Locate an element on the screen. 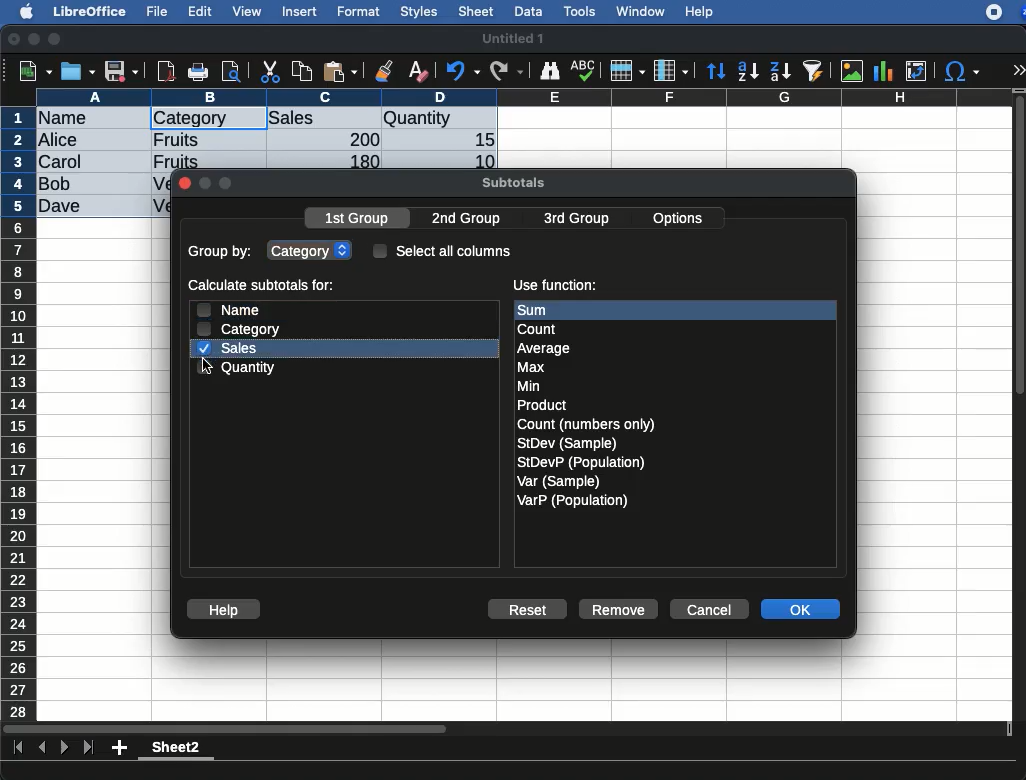 The image size is (1026, 780). insert is located at coordinates (300, 11).